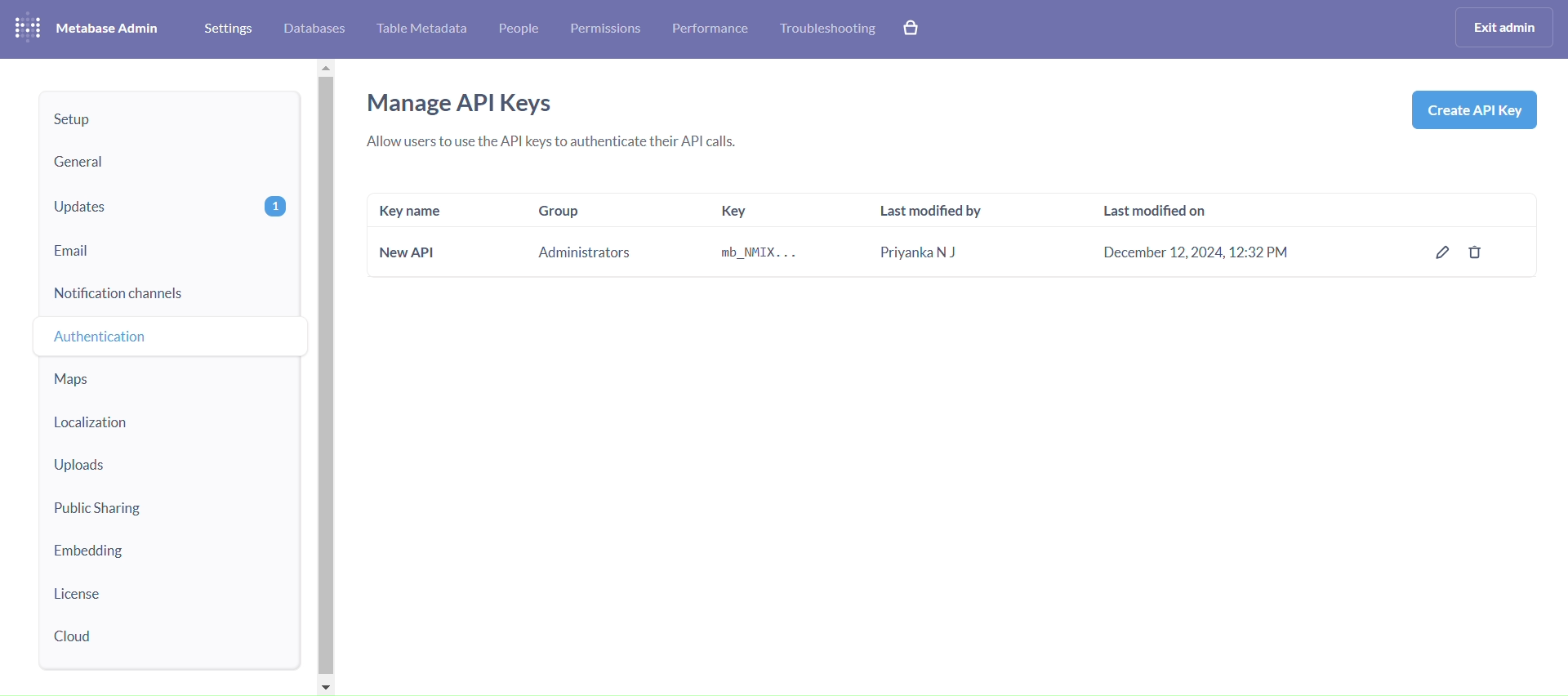  Describe the element at coordinates (576, 237) in the screenshot. I see `group` at that location.